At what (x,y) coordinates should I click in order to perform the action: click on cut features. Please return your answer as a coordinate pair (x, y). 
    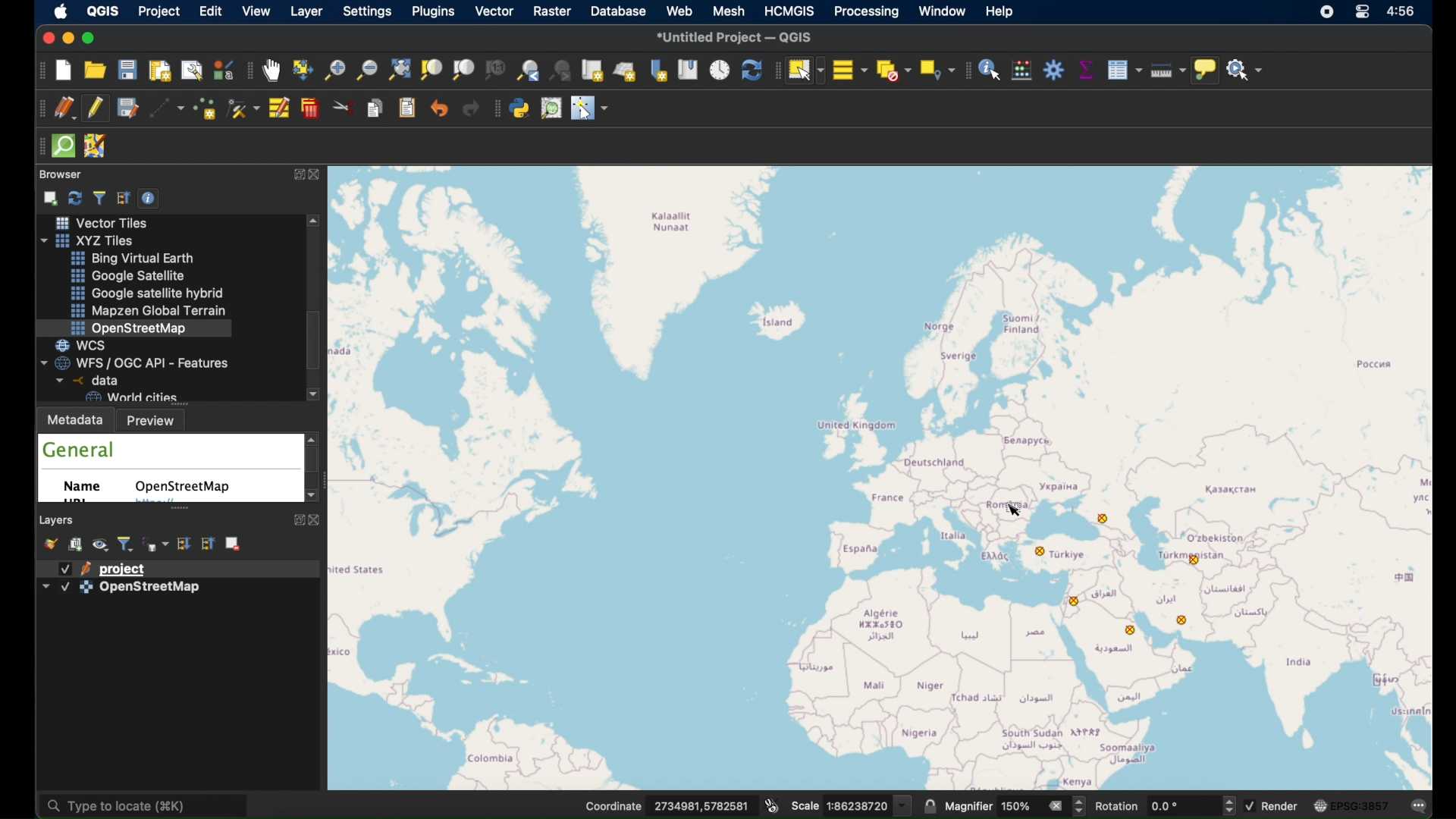
    Looking at the image, I should click on (344, 108).